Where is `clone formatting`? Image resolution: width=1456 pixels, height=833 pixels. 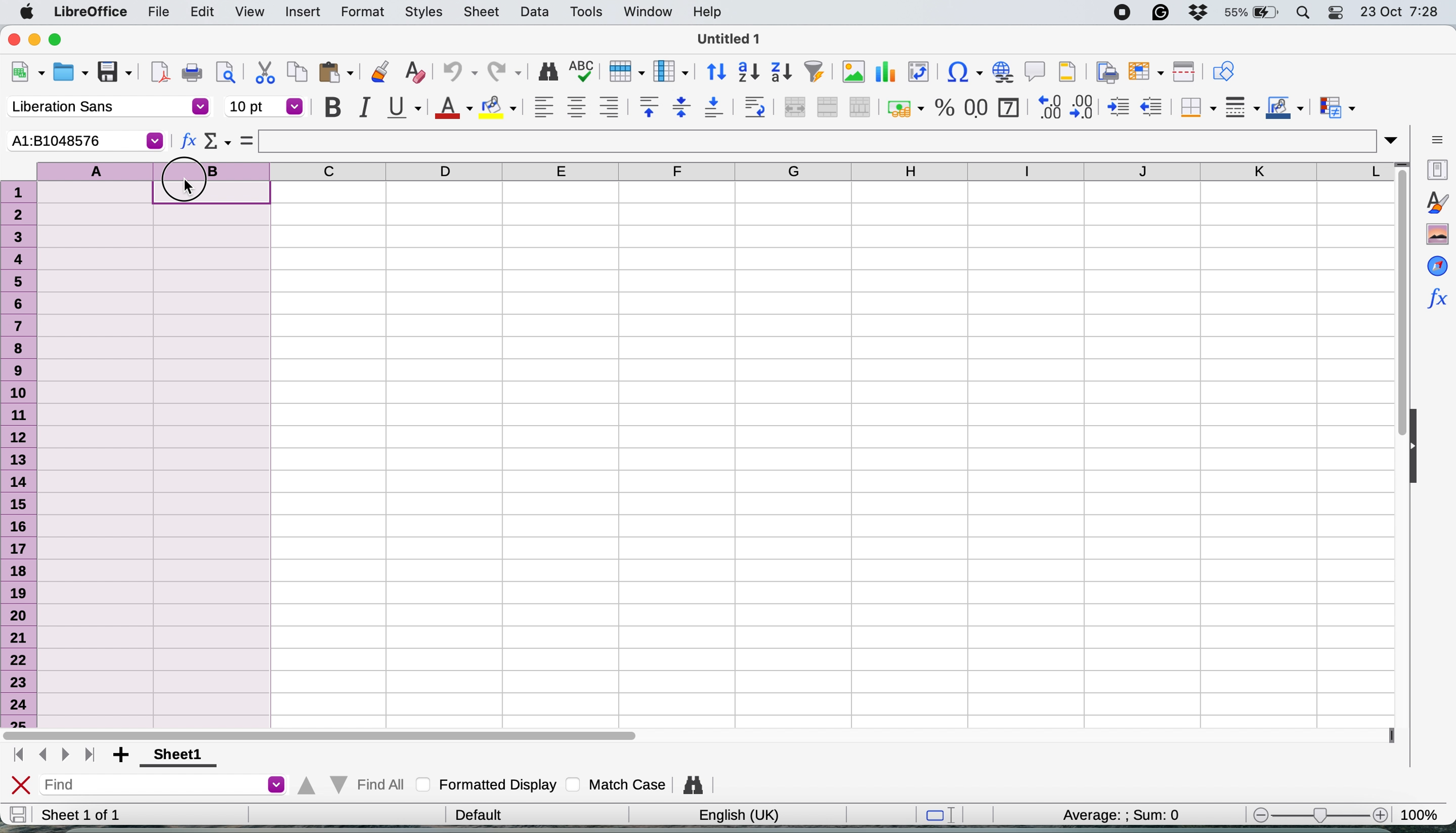
clone formatting is located at coordinates (378, 74).